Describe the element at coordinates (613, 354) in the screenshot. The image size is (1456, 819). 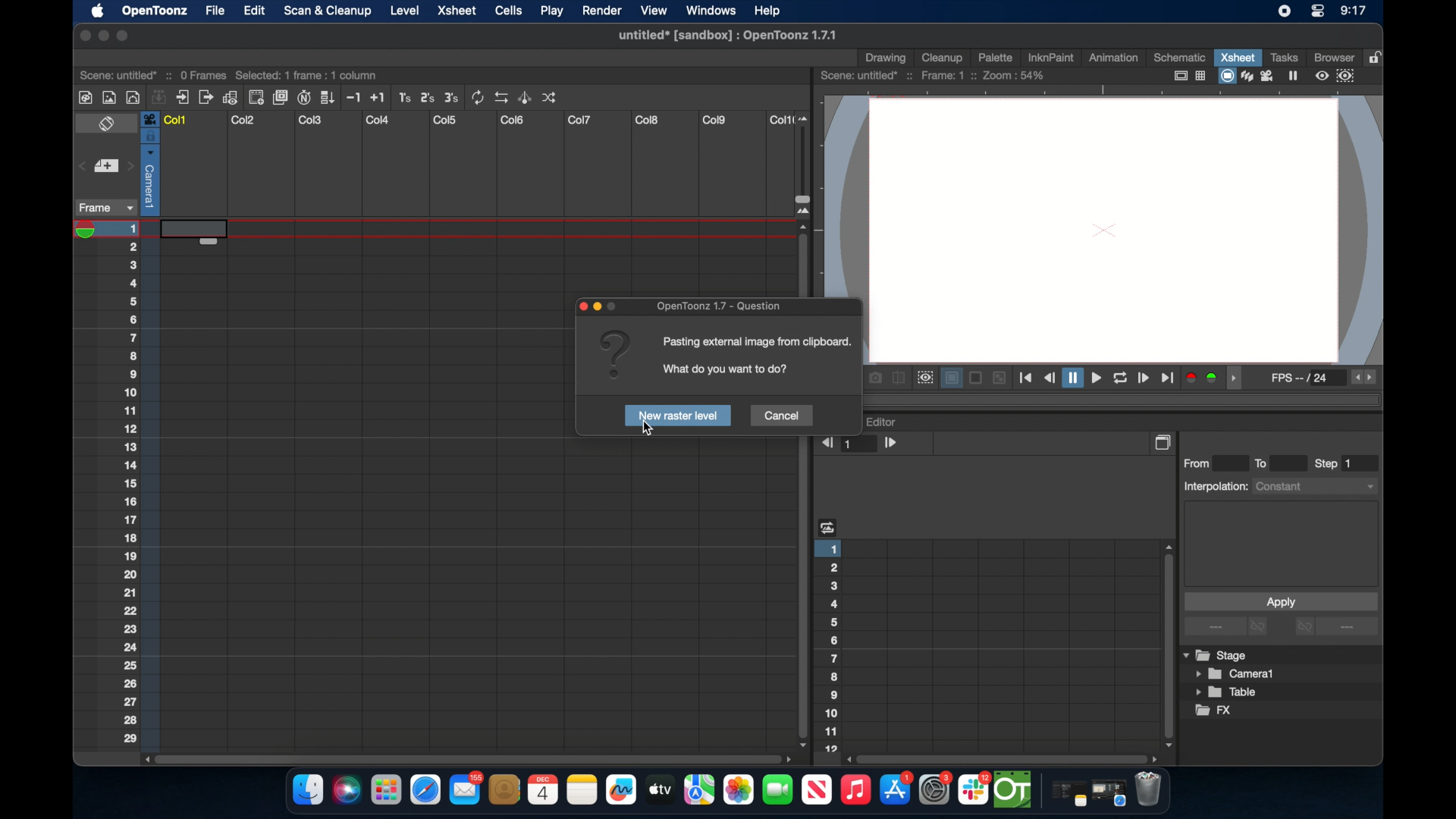
I see `question mark` at that location.